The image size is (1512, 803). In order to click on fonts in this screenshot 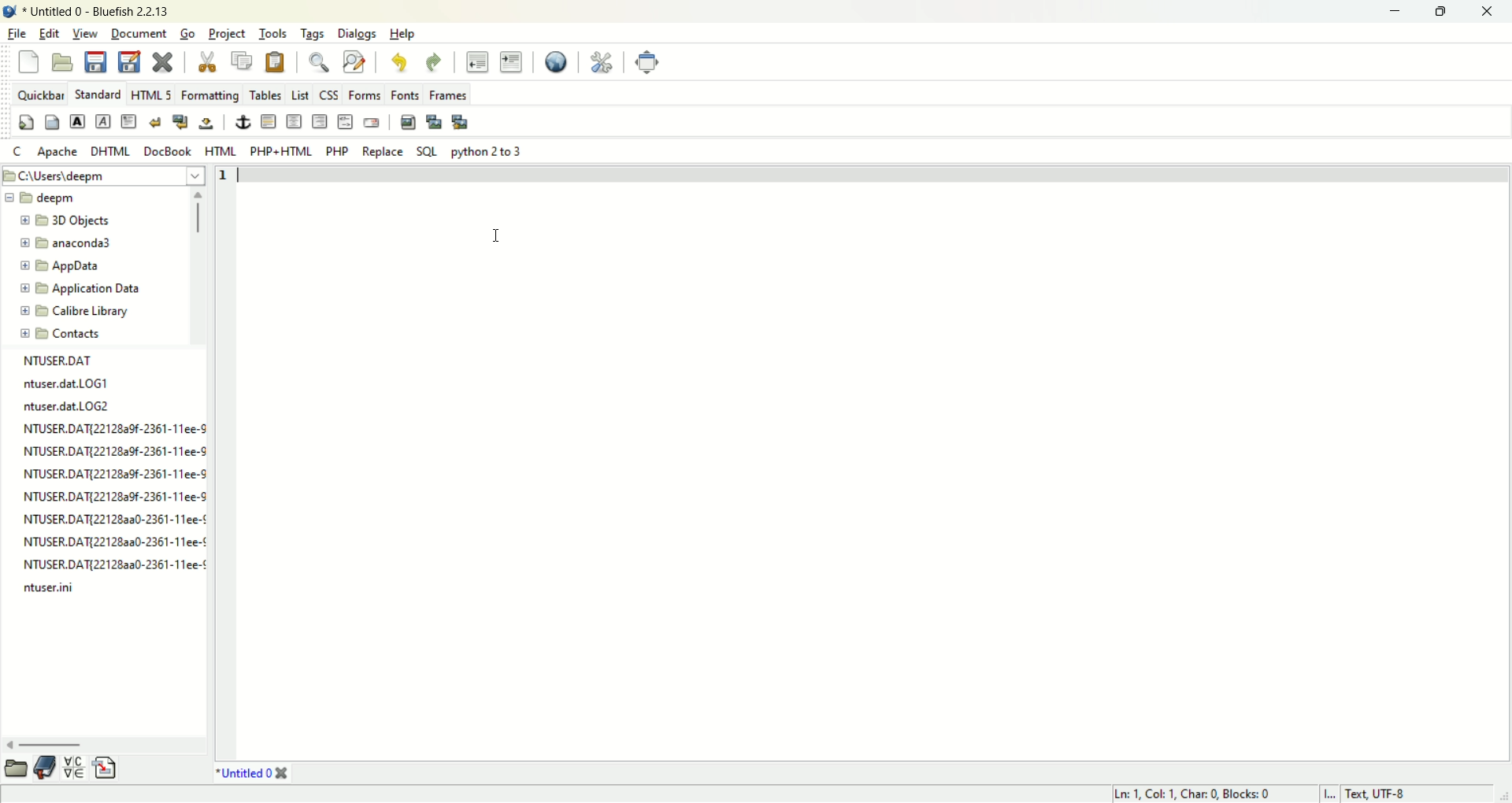, I will do `click(405, 95)`.